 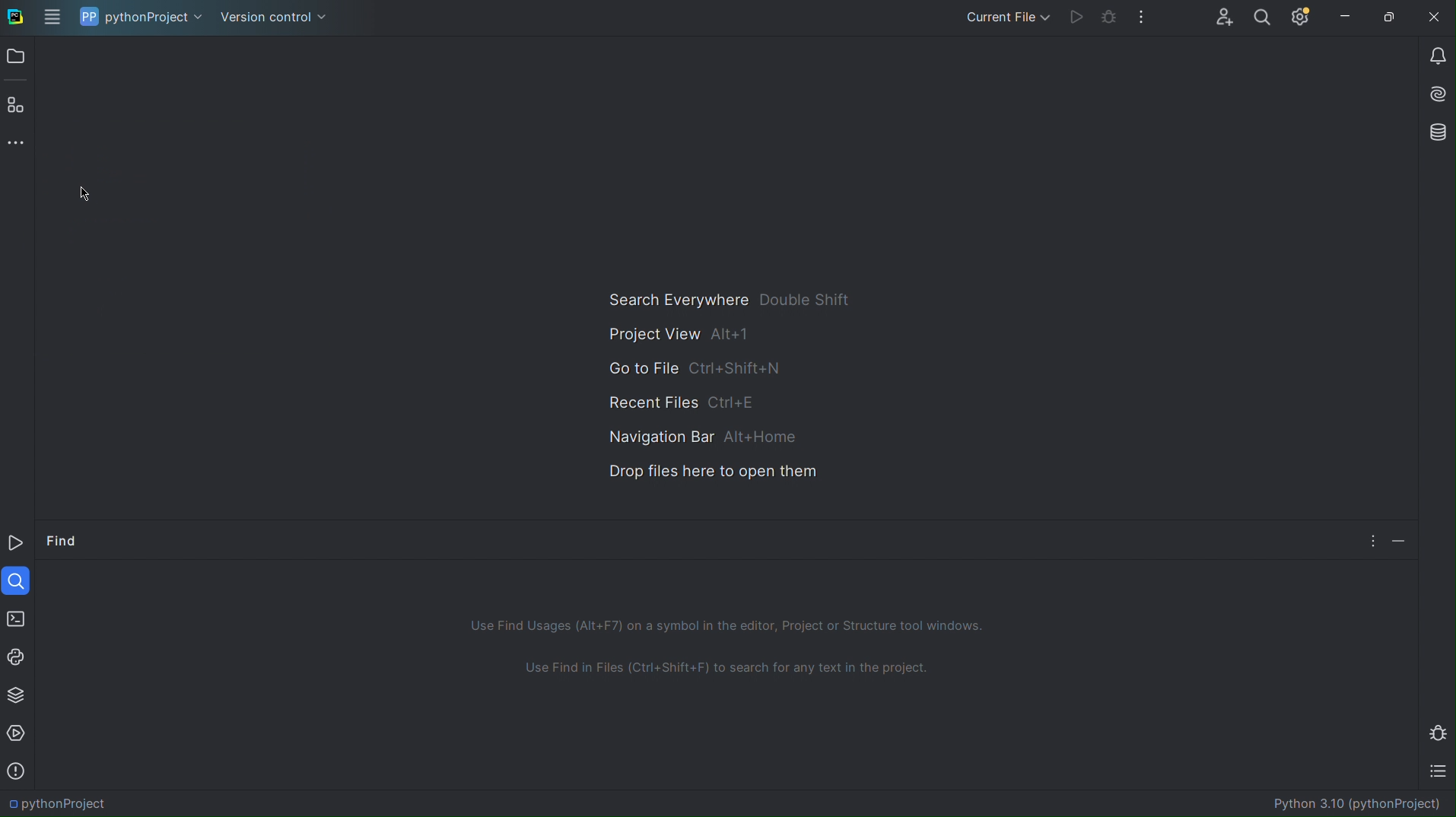 I want to click on Structure, so click(x=14, y=104).